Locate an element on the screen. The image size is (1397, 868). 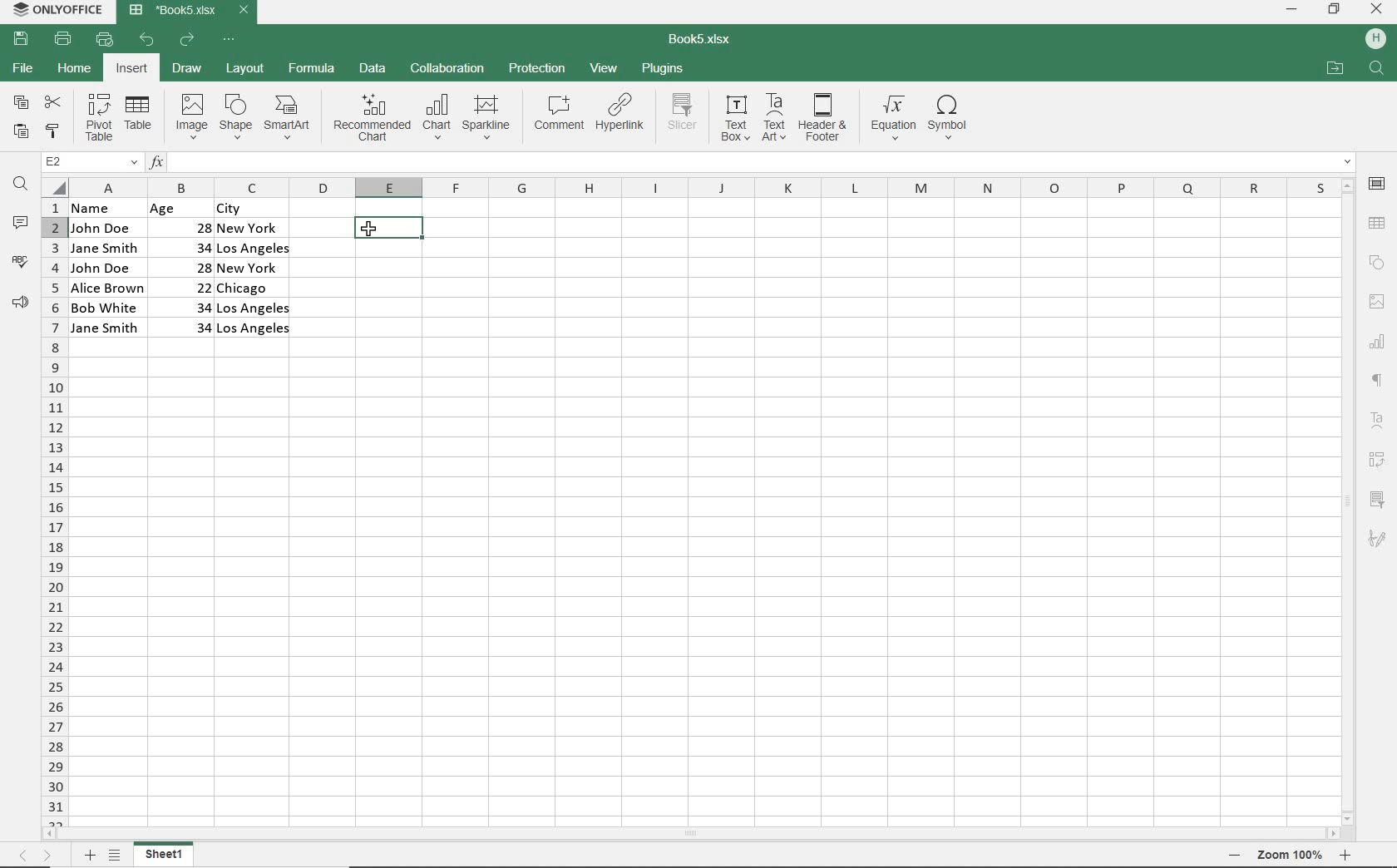
John Doe is located at coordinates (101, 228).